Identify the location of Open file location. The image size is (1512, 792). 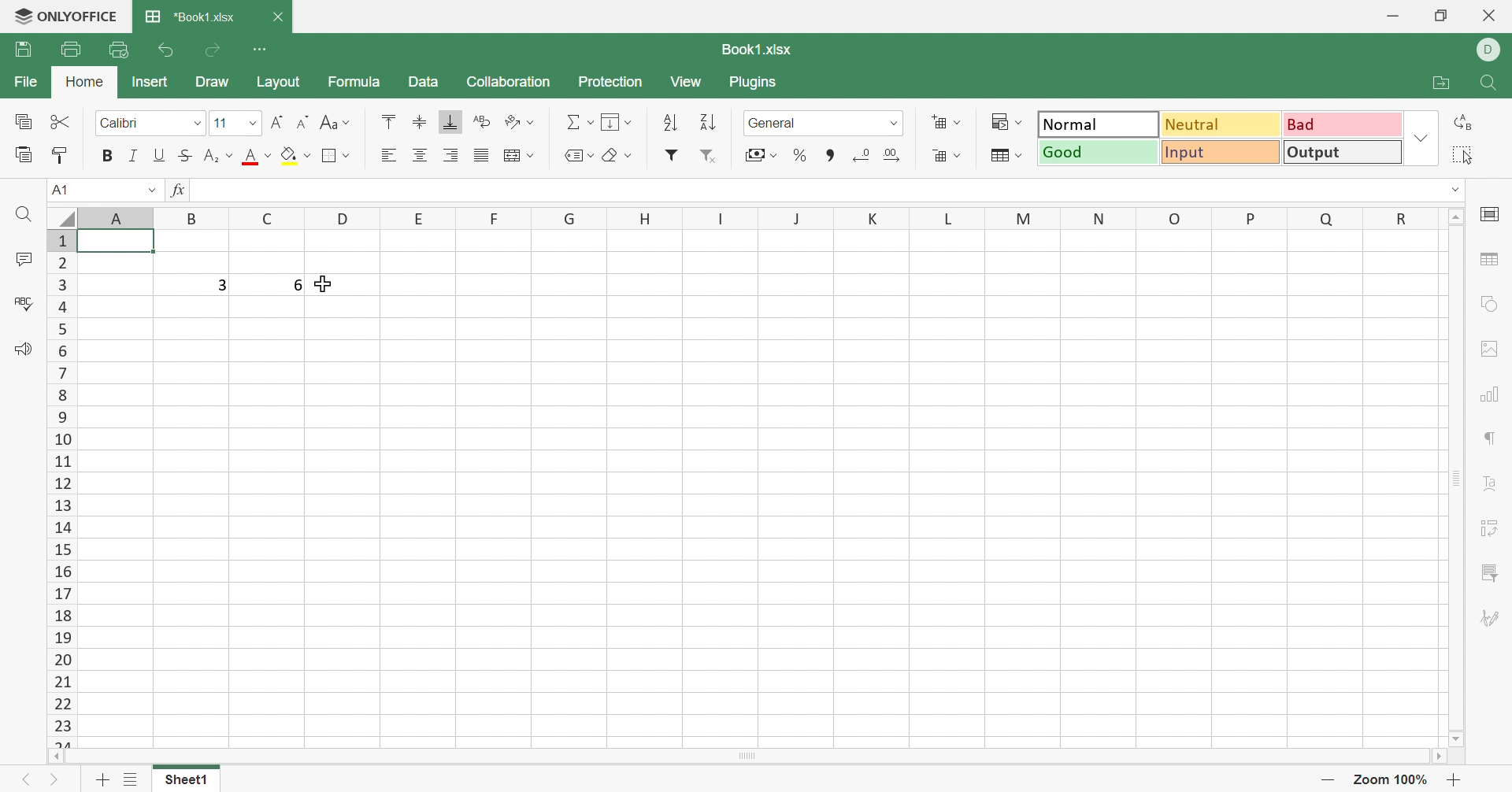
(1443, 83).